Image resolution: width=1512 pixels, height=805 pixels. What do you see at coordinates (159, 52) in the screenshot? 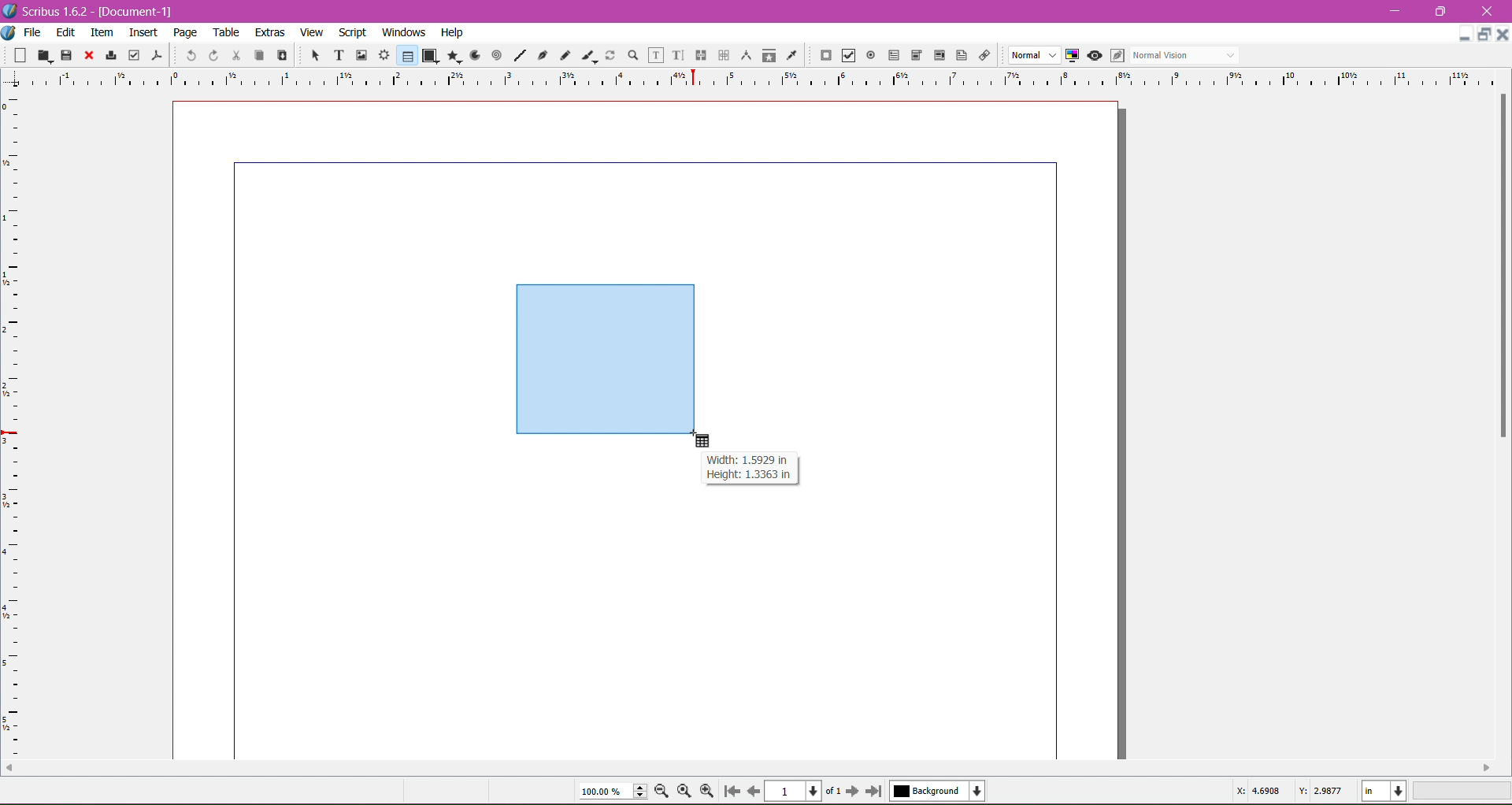
I see `Save as PDF` at bounding box center [159, 52].